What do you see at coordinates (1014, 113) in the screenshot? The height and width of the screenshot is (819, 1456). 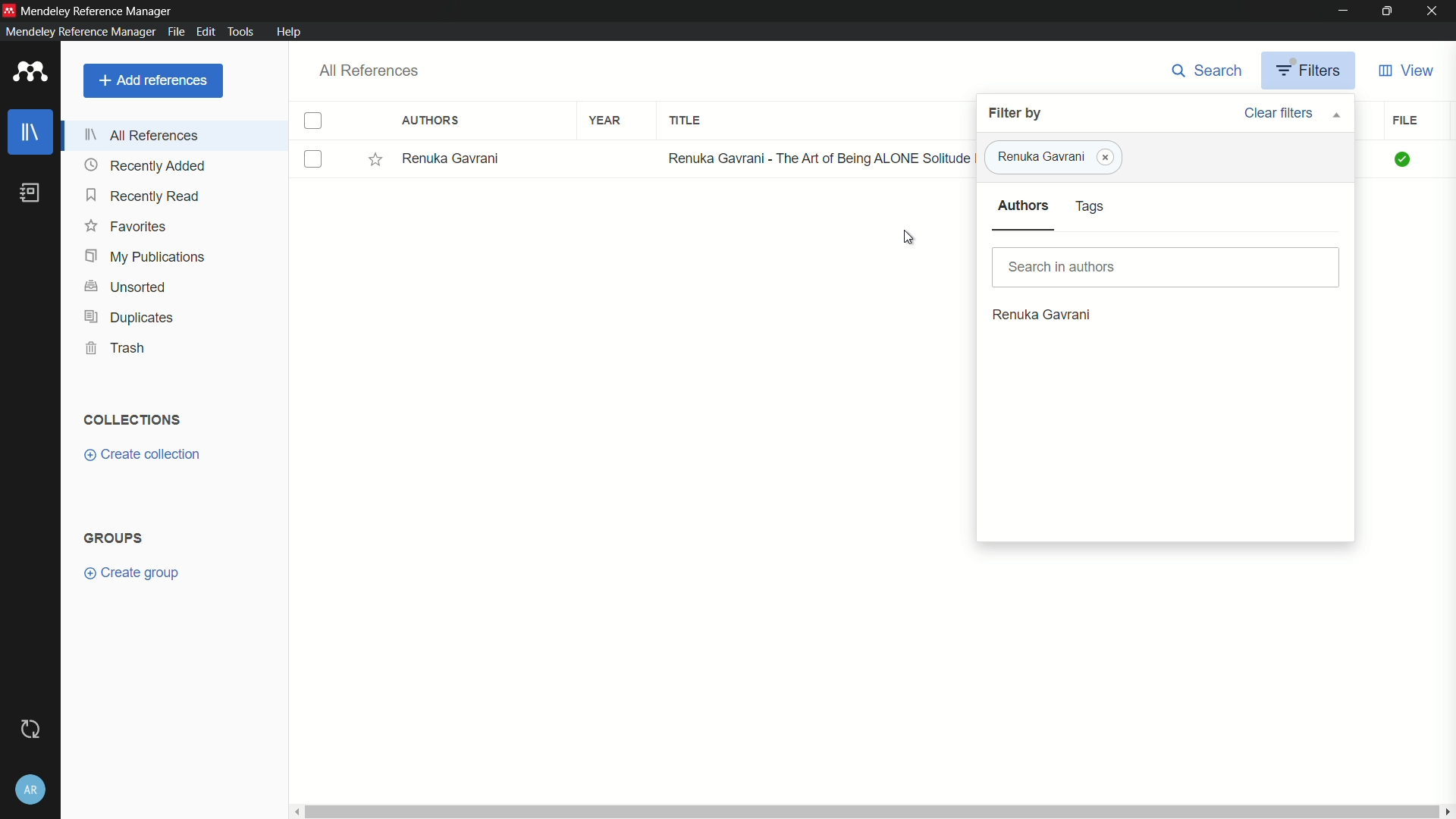 I see `filter by` at bounding box center [1014, 113].